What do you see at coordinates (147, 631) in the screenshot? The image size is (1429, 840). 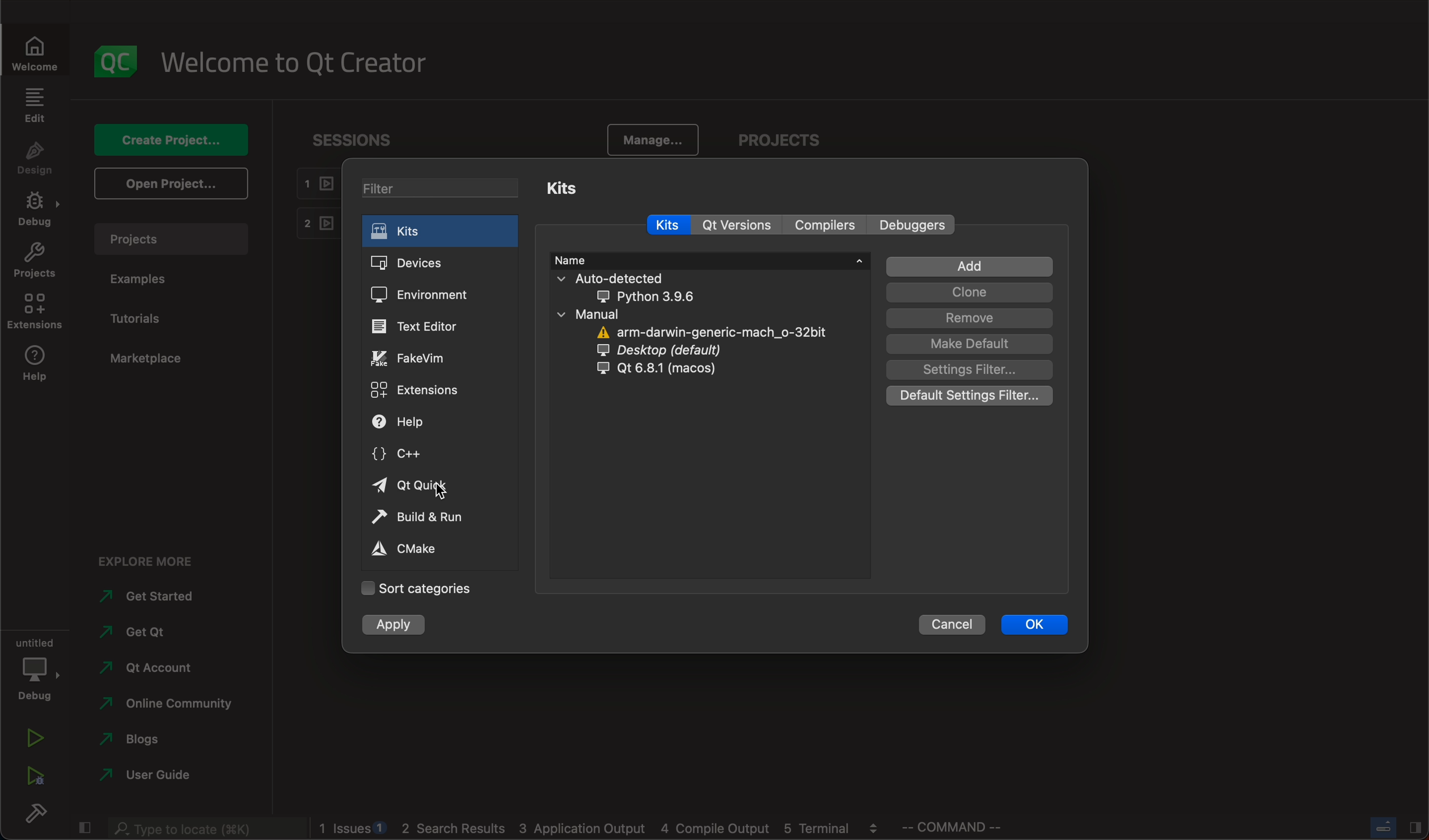 I see `get` at bounding box center [147, 631].